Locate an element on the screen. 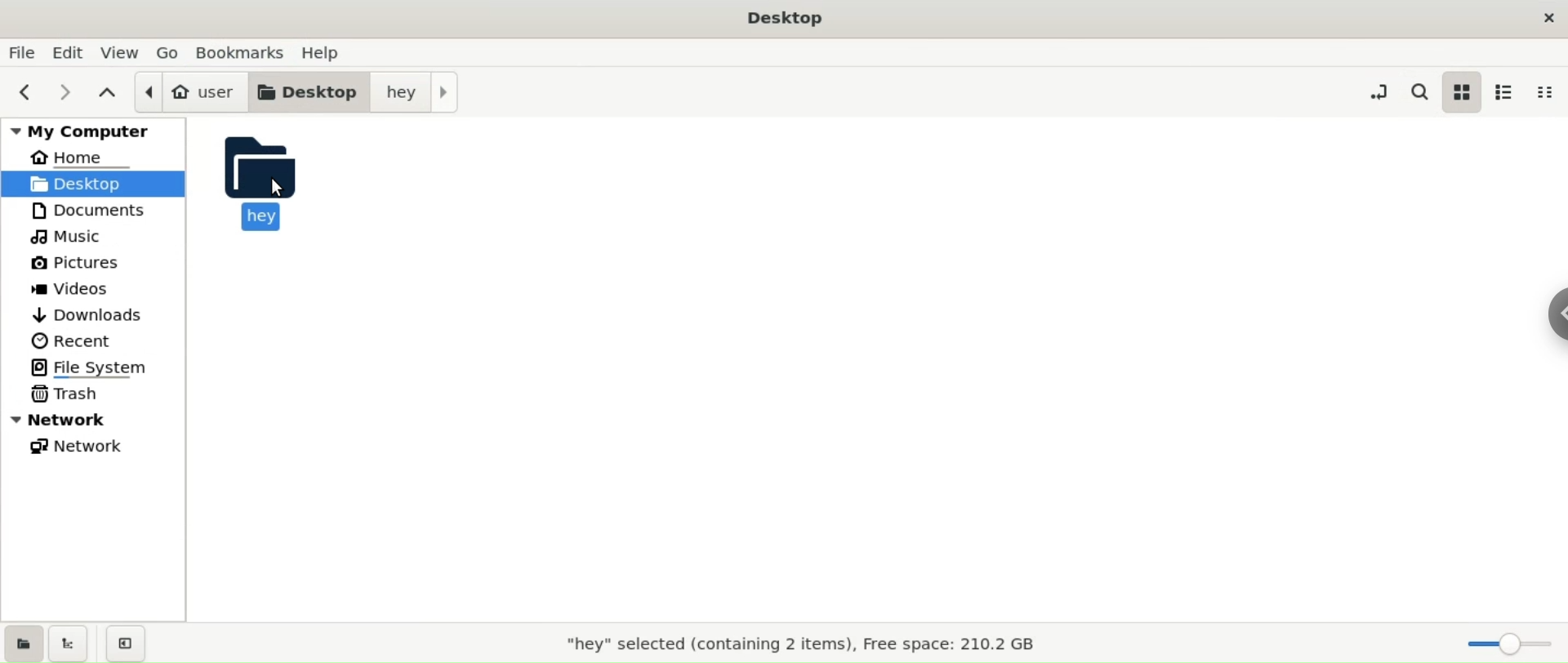 This screenshot has width=1568, height=663. chrome options is located at coordinates (1554, 314).